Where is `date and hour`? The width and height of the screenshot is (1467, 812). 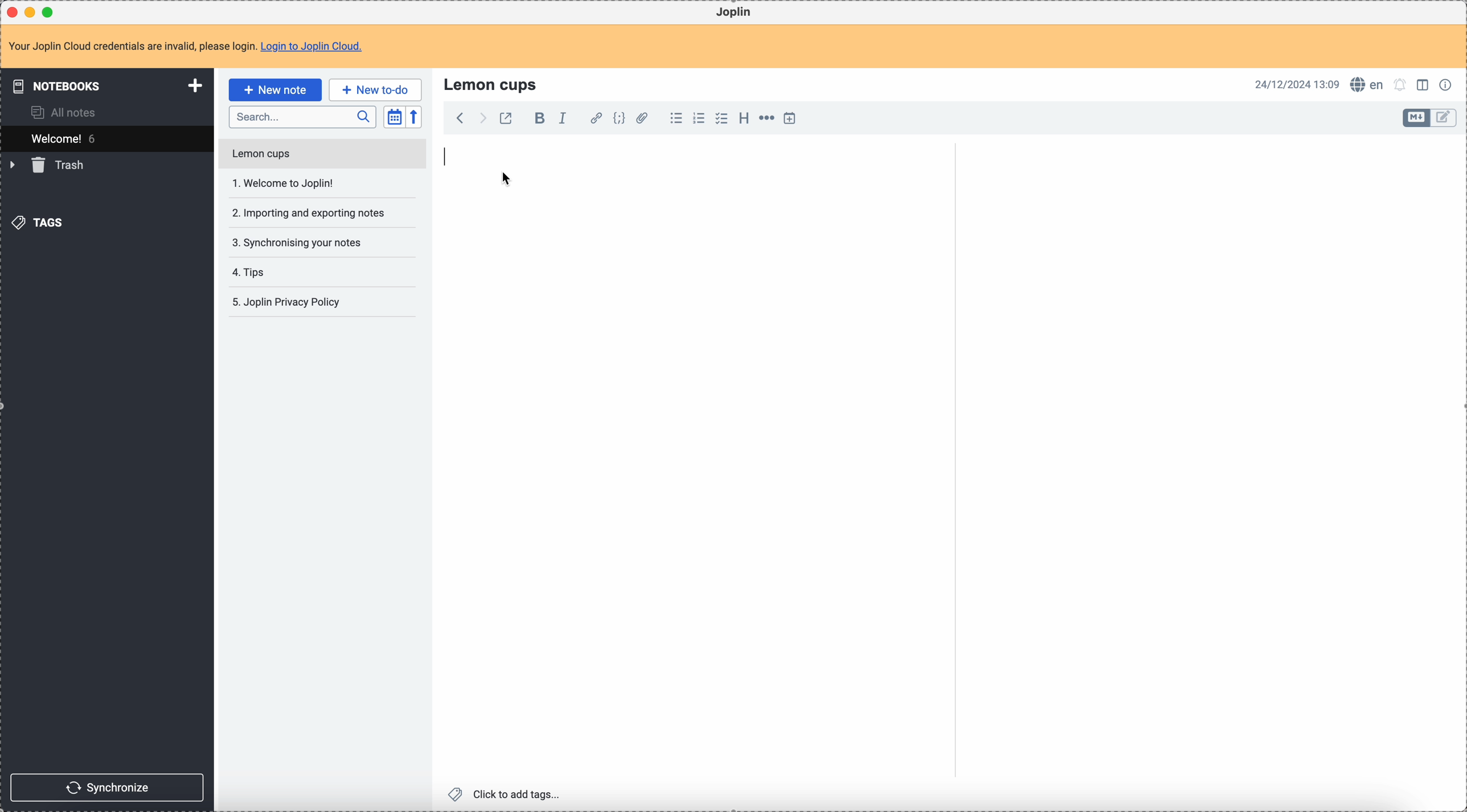 date and hour is located at coordinates (1297, 84).